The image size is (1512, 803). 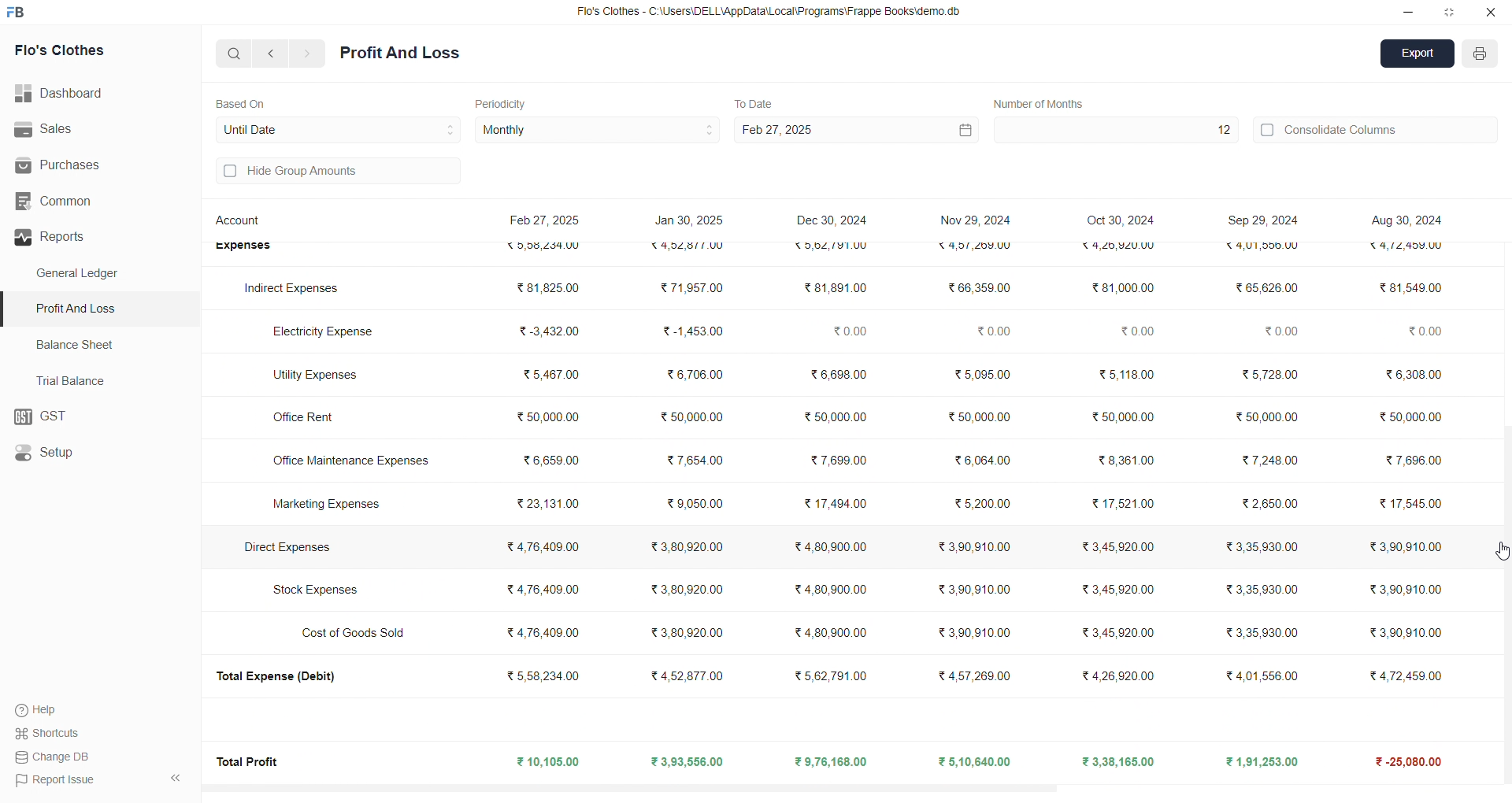 I want to click on Trial Balance, so click(x=76, y=380).